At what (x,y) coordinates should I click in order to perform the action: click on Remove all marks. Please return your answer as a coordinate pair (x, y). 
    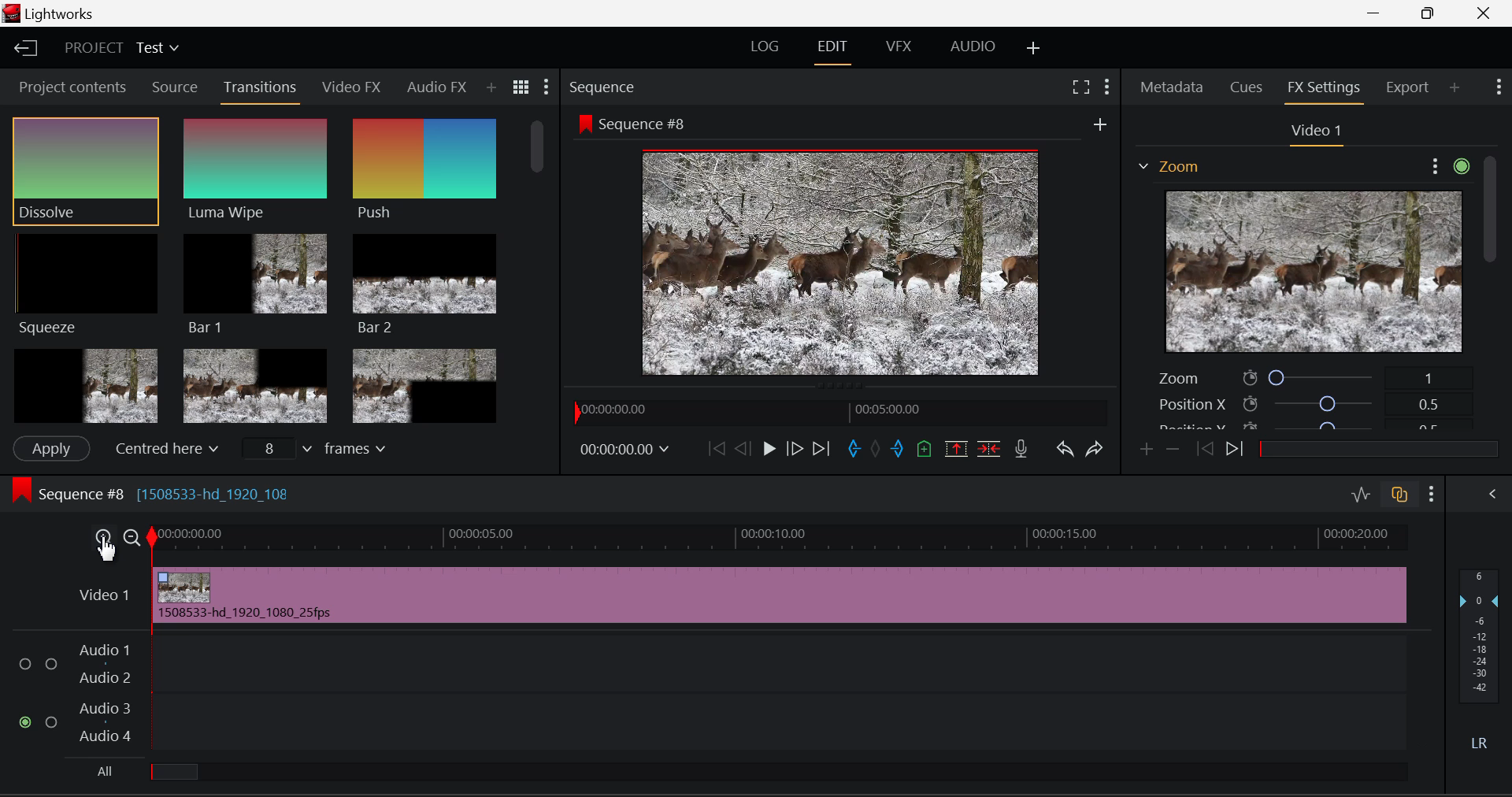
    Looking at the image, I should click on (875, 450).